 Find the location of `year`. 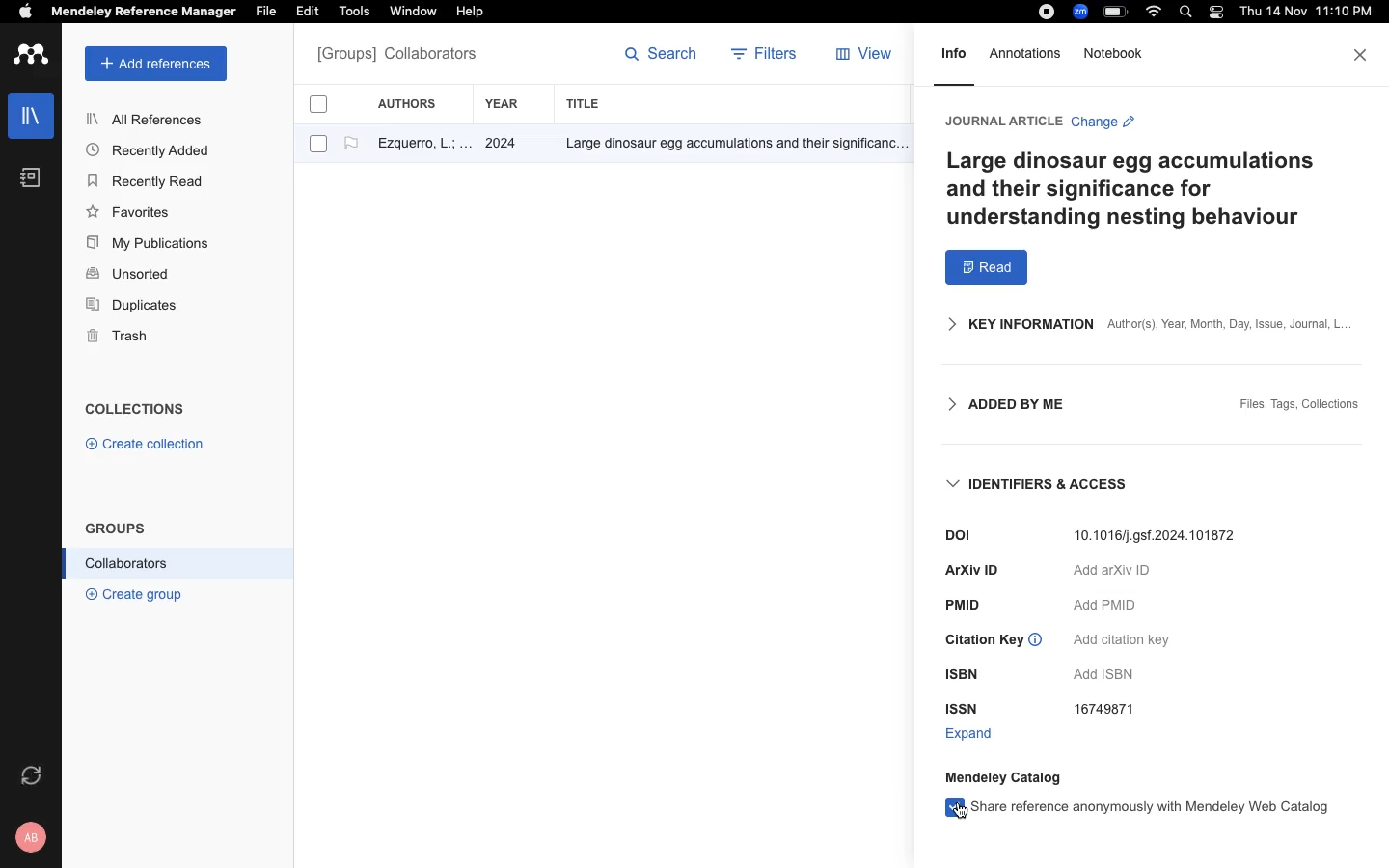

year is located at coordinates (512, 104).